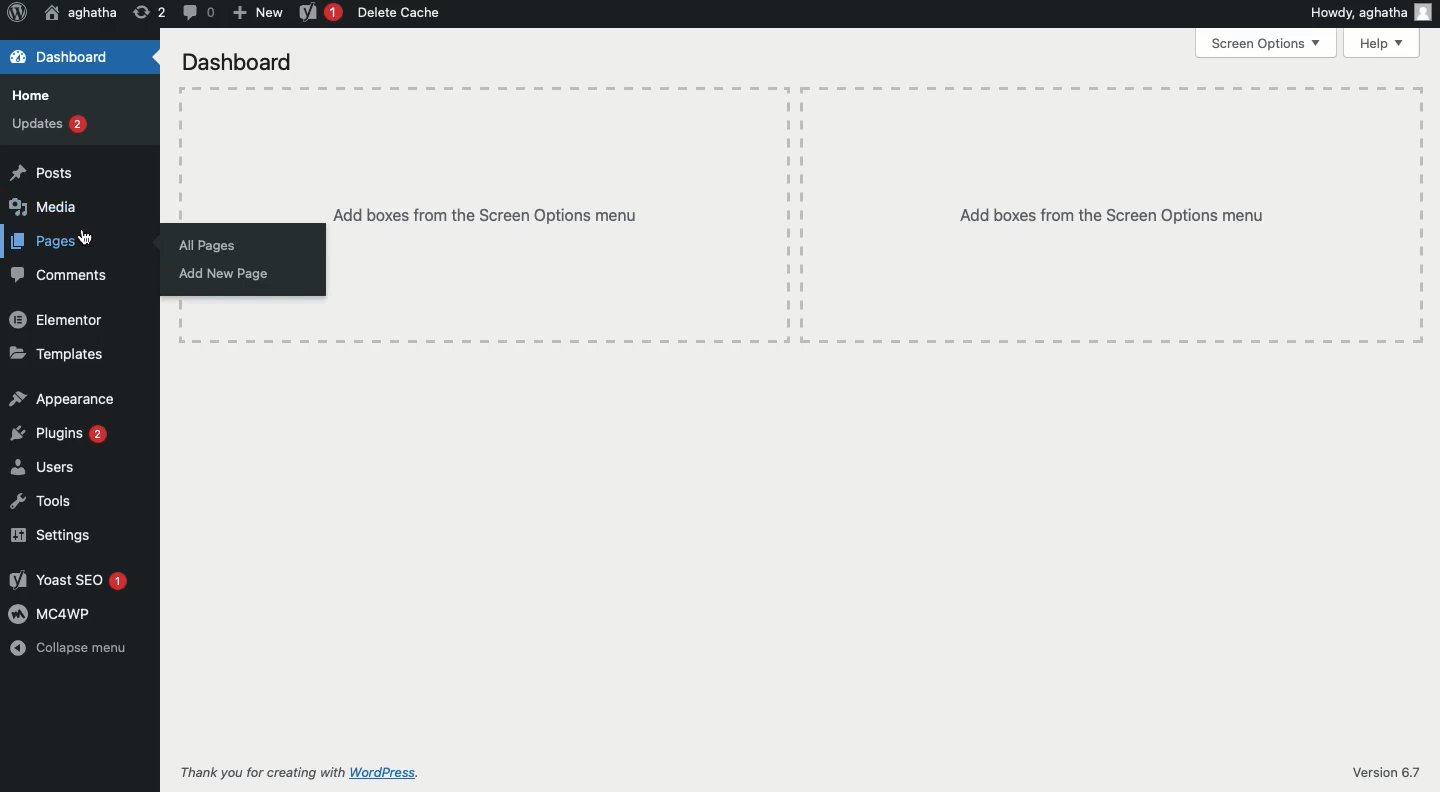 The height and width of the screenshot is (792, 1440). I want to click on Plugins, so click(59, 433).